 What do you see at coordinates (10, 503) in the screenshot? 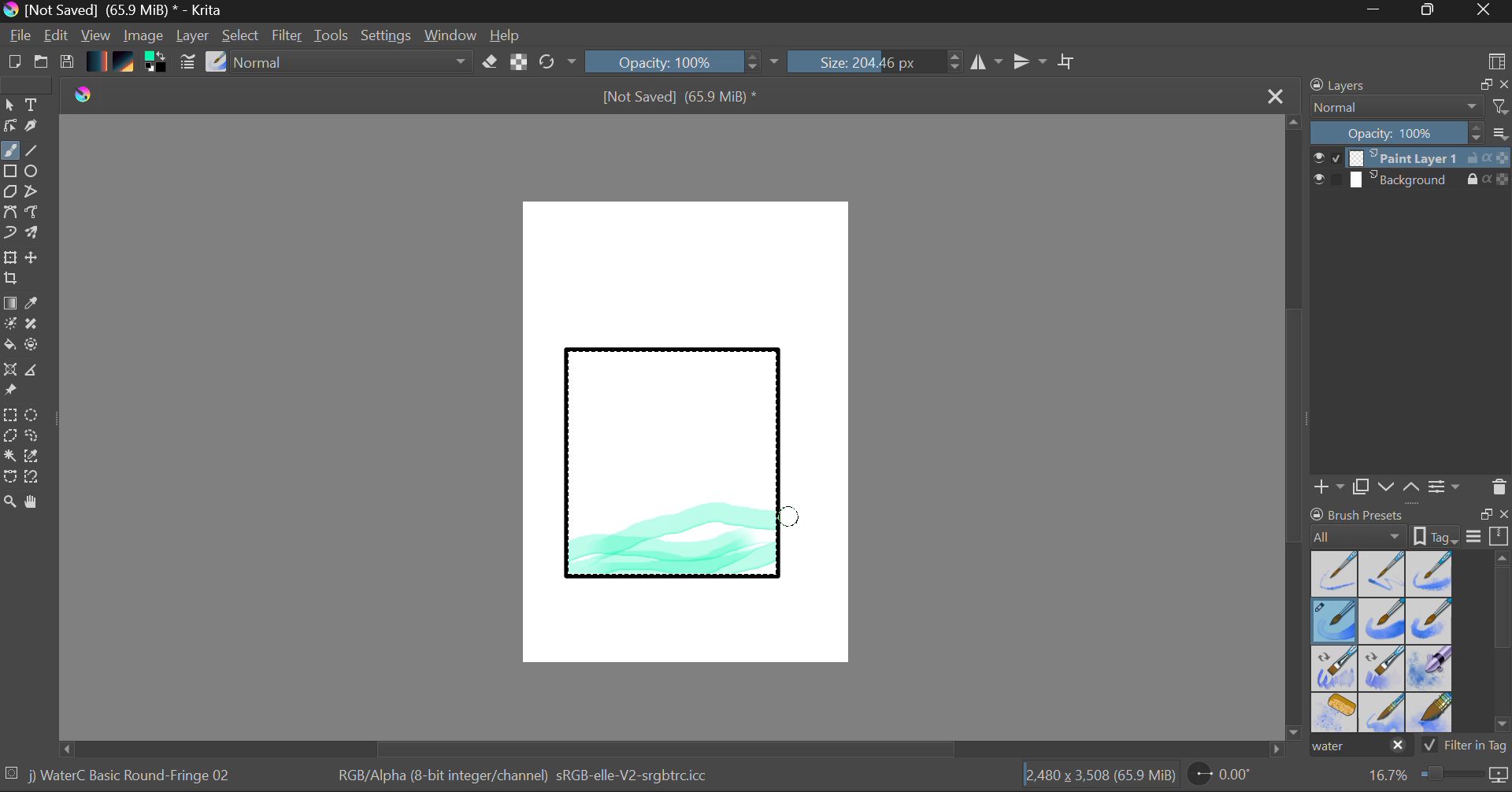
I see `Zoom` at bounding box center [10, 503].